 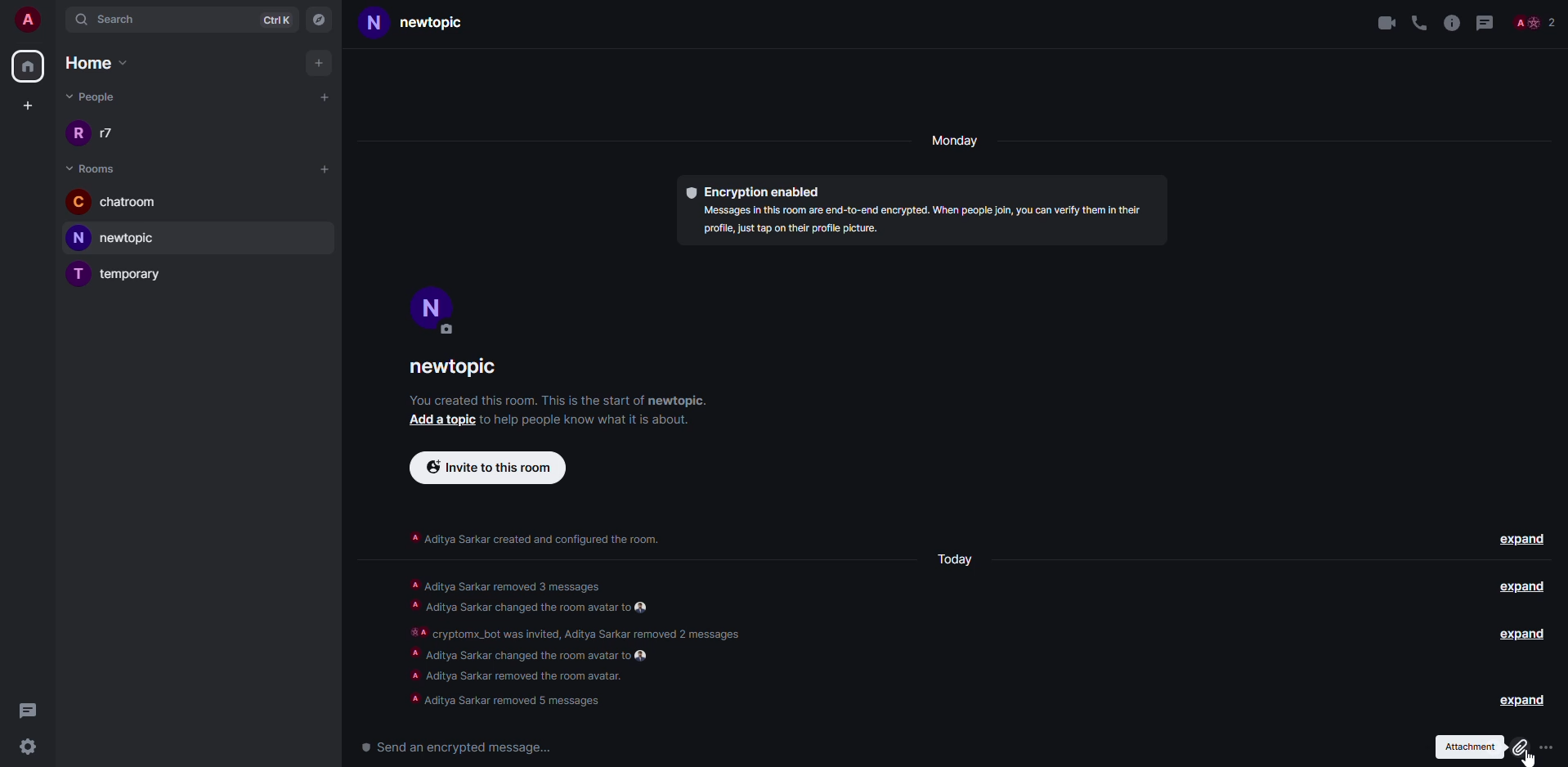 I want to click on expand, so click(x=1525, y=539).